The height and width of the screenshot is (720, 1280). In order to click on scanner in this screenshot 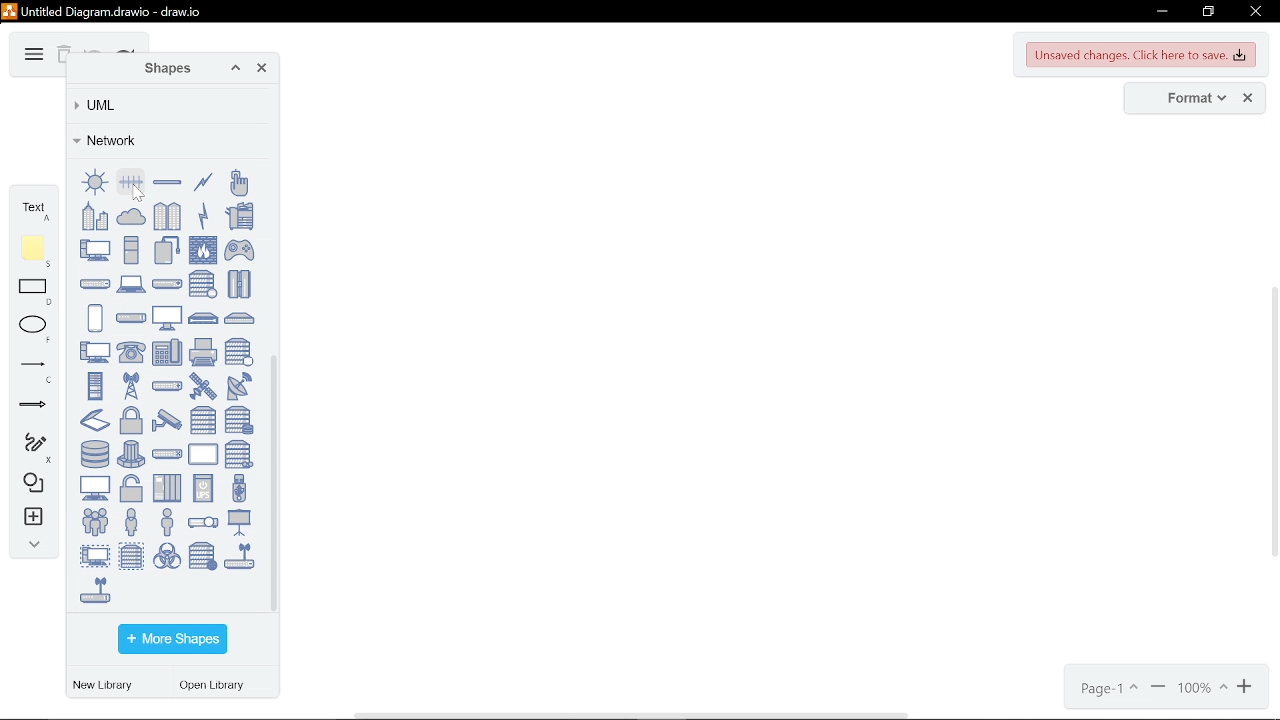, I will do `click(95, 420)`.